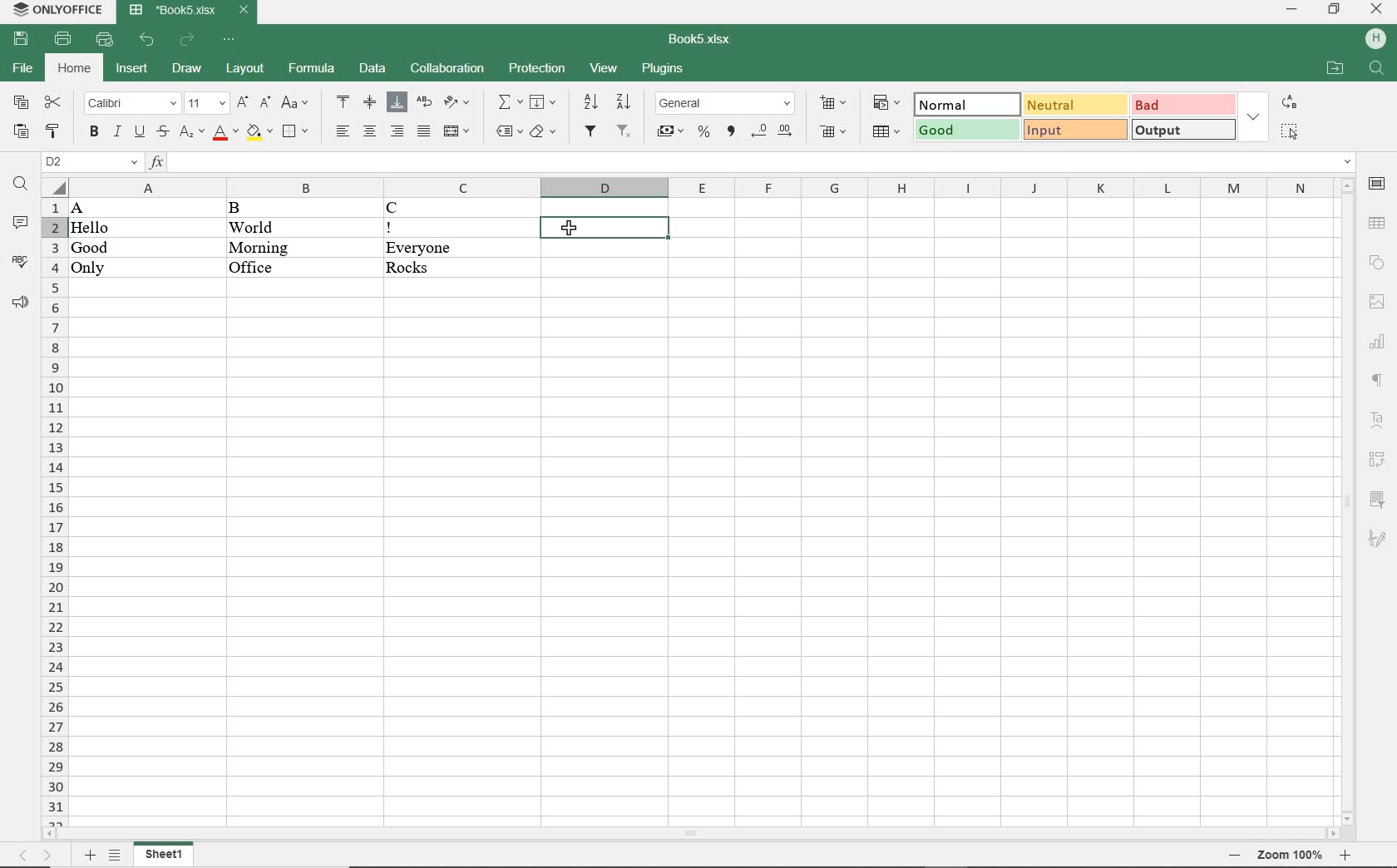  I want to click on PLUGINS, so click(662, 70).